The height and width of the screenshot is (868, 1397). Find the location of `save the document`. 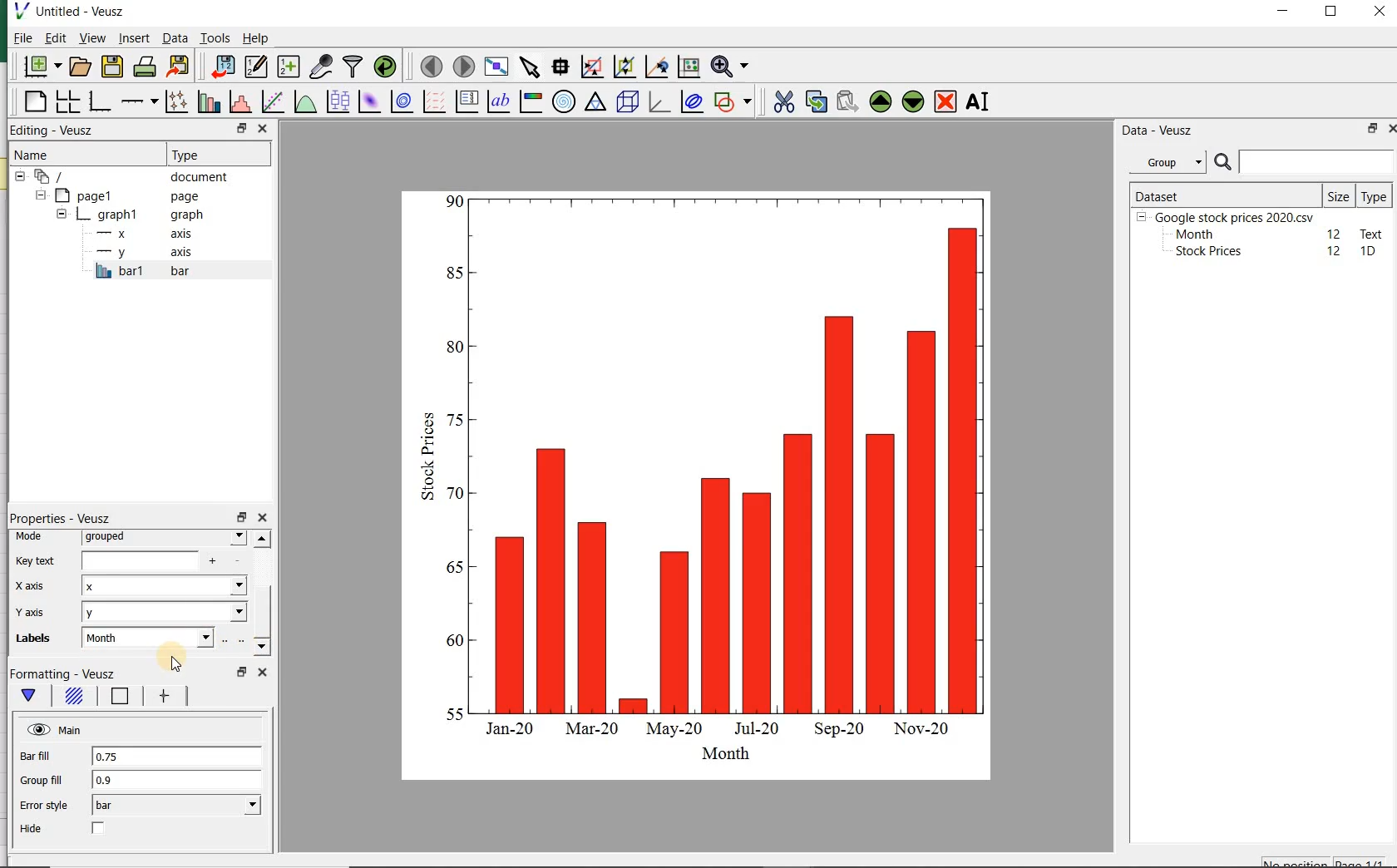

save the document is located at coordinates (112, 67).